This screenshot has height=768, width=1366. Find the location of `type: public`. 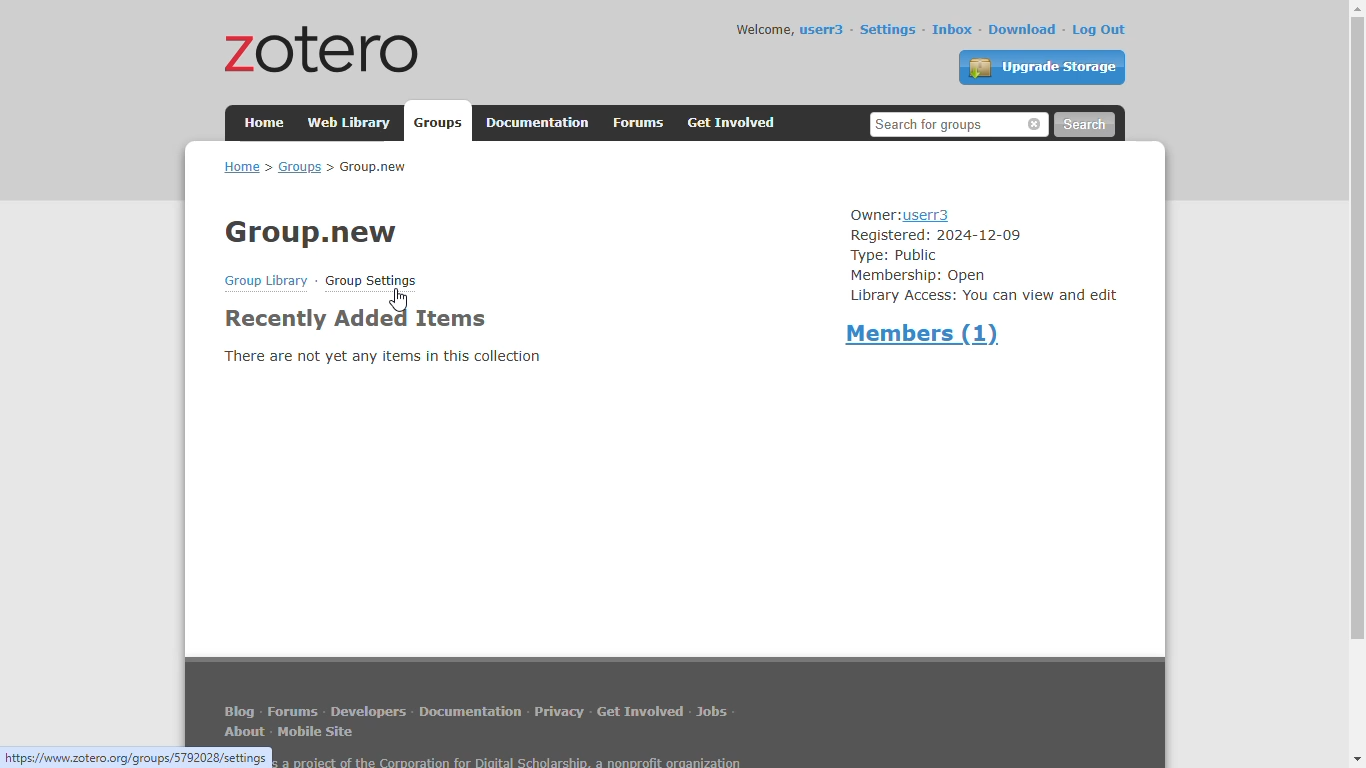

type: public is located at coordinates (895, 256).